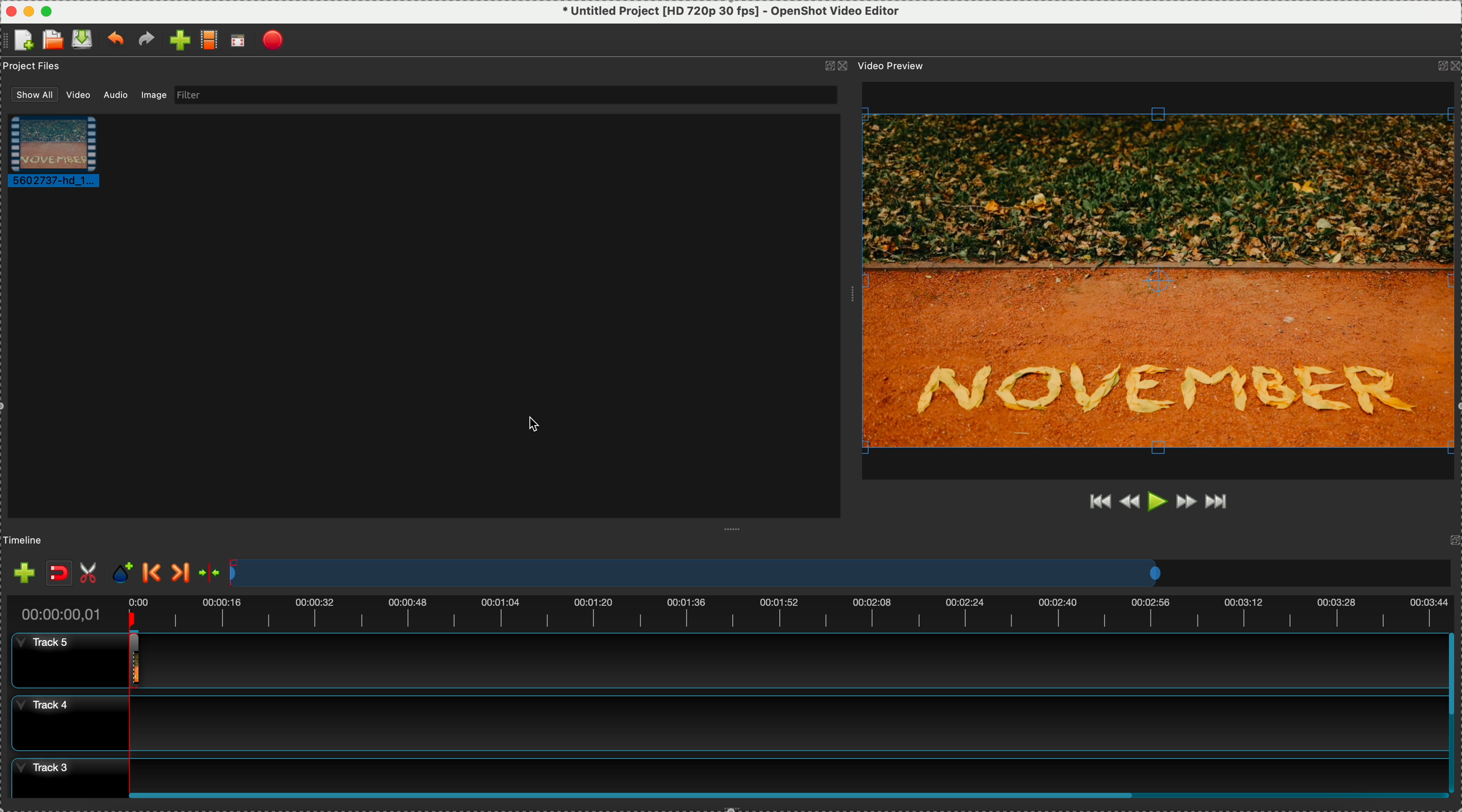  I want to click on video preview, so click(1161, 280).